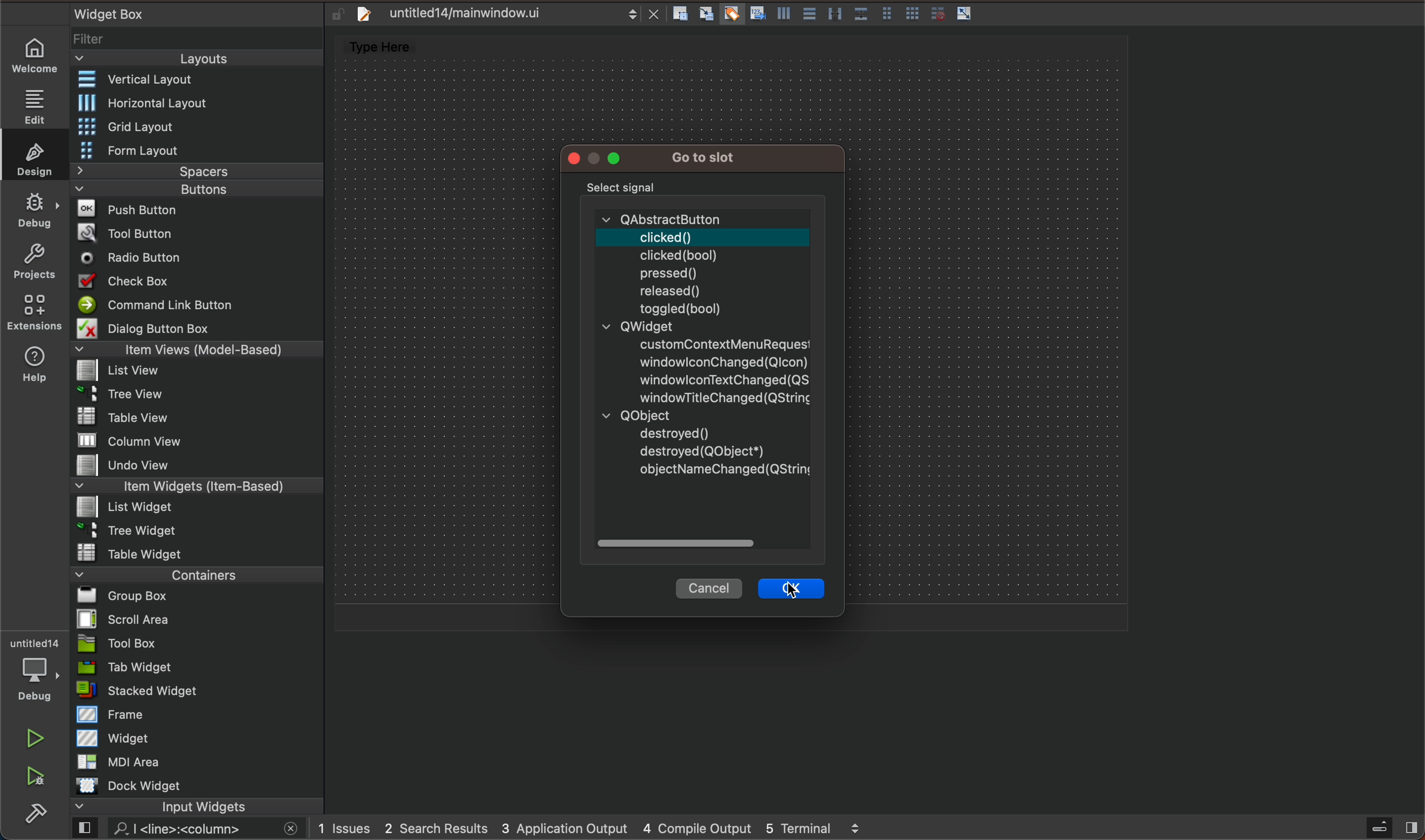 The height and width of the screenshot is (840, 1425). I want to click on sidebar, so click(1386, 828).